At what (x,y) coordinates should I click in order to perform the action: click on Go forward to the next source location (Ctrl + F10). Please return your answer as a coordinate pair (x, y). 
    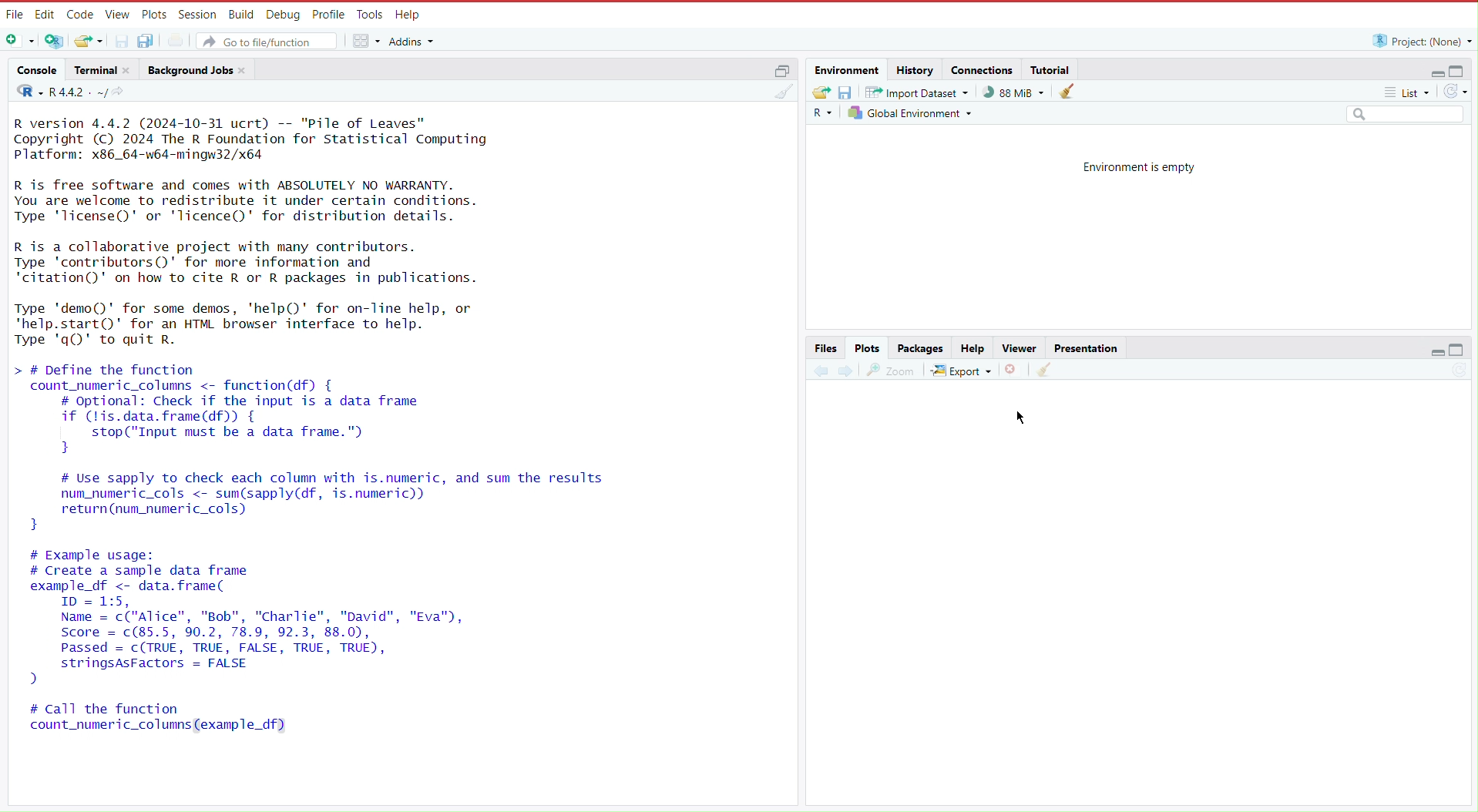
    Looking at the image, I should click on (845, 368).